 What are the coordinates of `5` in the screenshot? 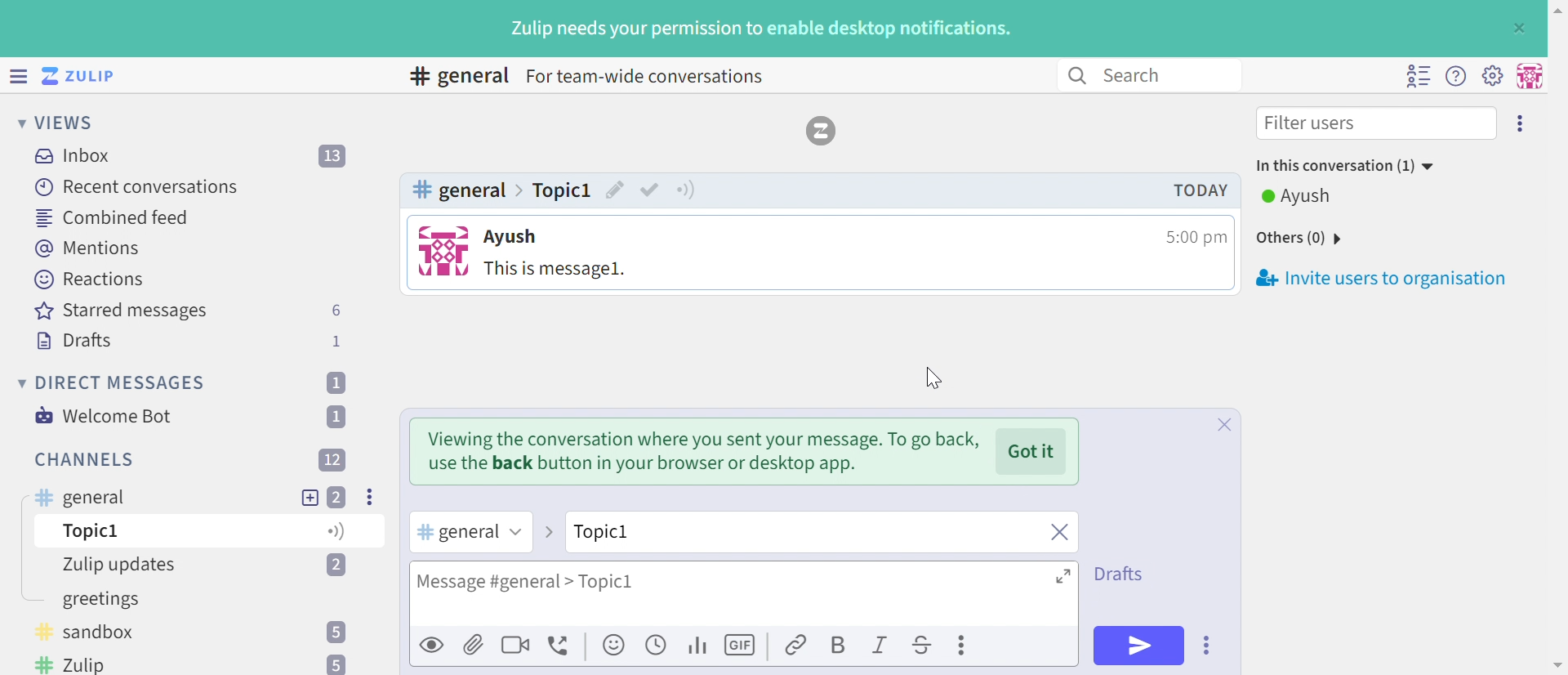 It's located at (336, 565).